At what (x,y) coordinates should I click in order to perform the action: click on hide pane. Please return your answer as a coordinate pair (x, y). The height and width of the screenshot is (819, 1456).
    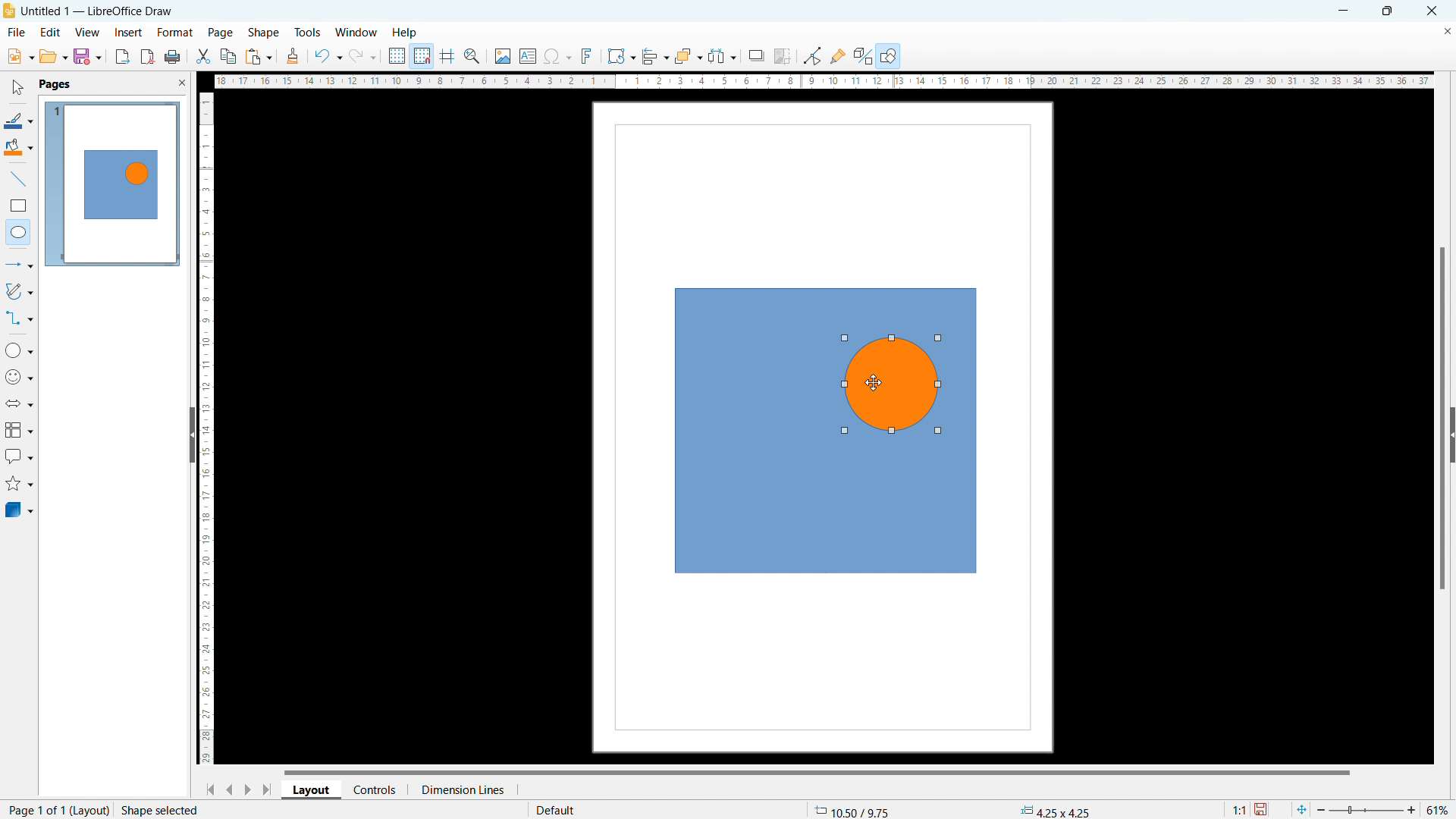
    Looking at the image, I should click on (191, 435).